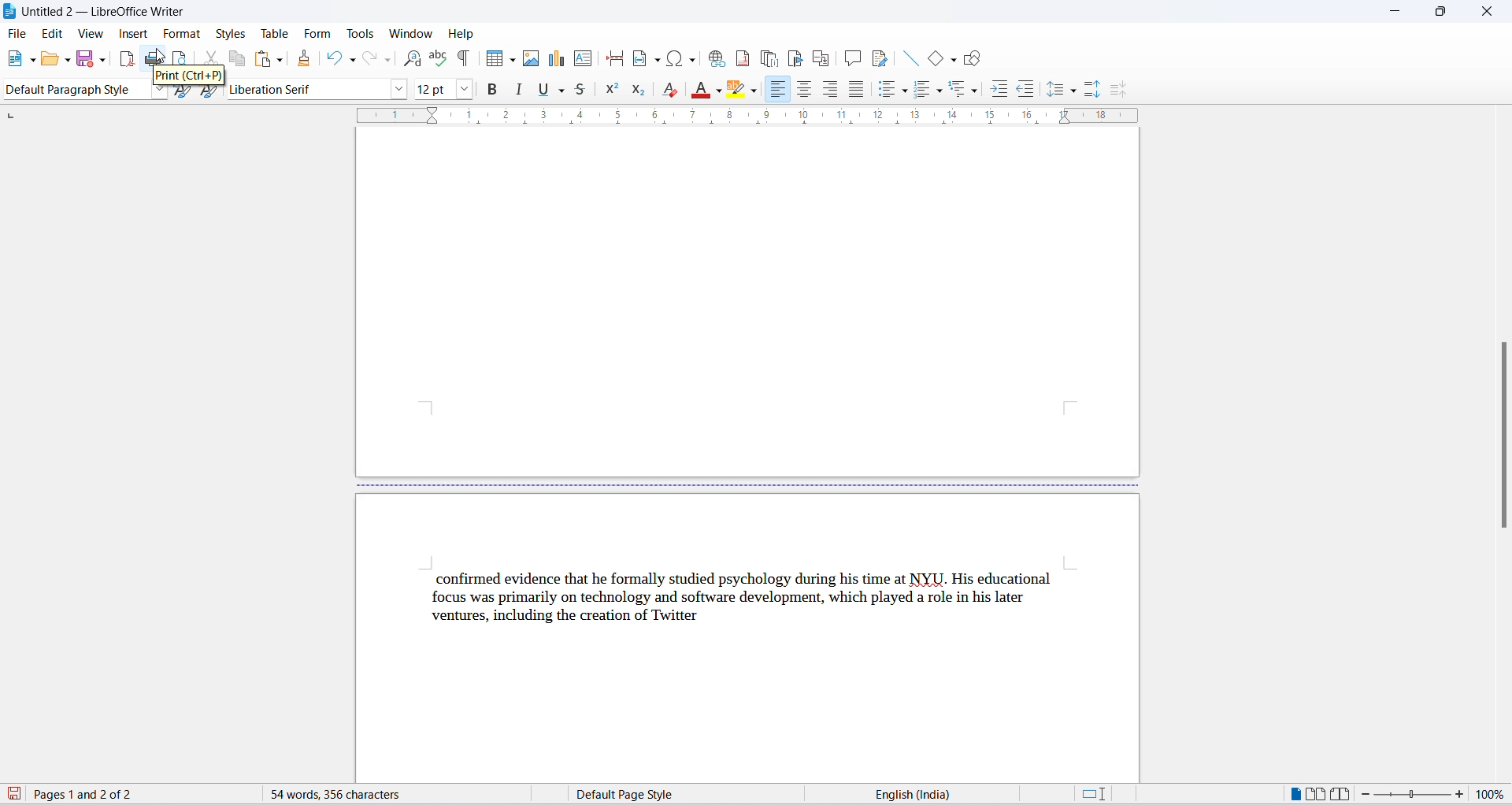 Image resolution: width=1512 pixels, height=805 pixels. What do you see at coordinates (854, 89) in the screenshot?
I see `justified` at bounding box center [854, 89].